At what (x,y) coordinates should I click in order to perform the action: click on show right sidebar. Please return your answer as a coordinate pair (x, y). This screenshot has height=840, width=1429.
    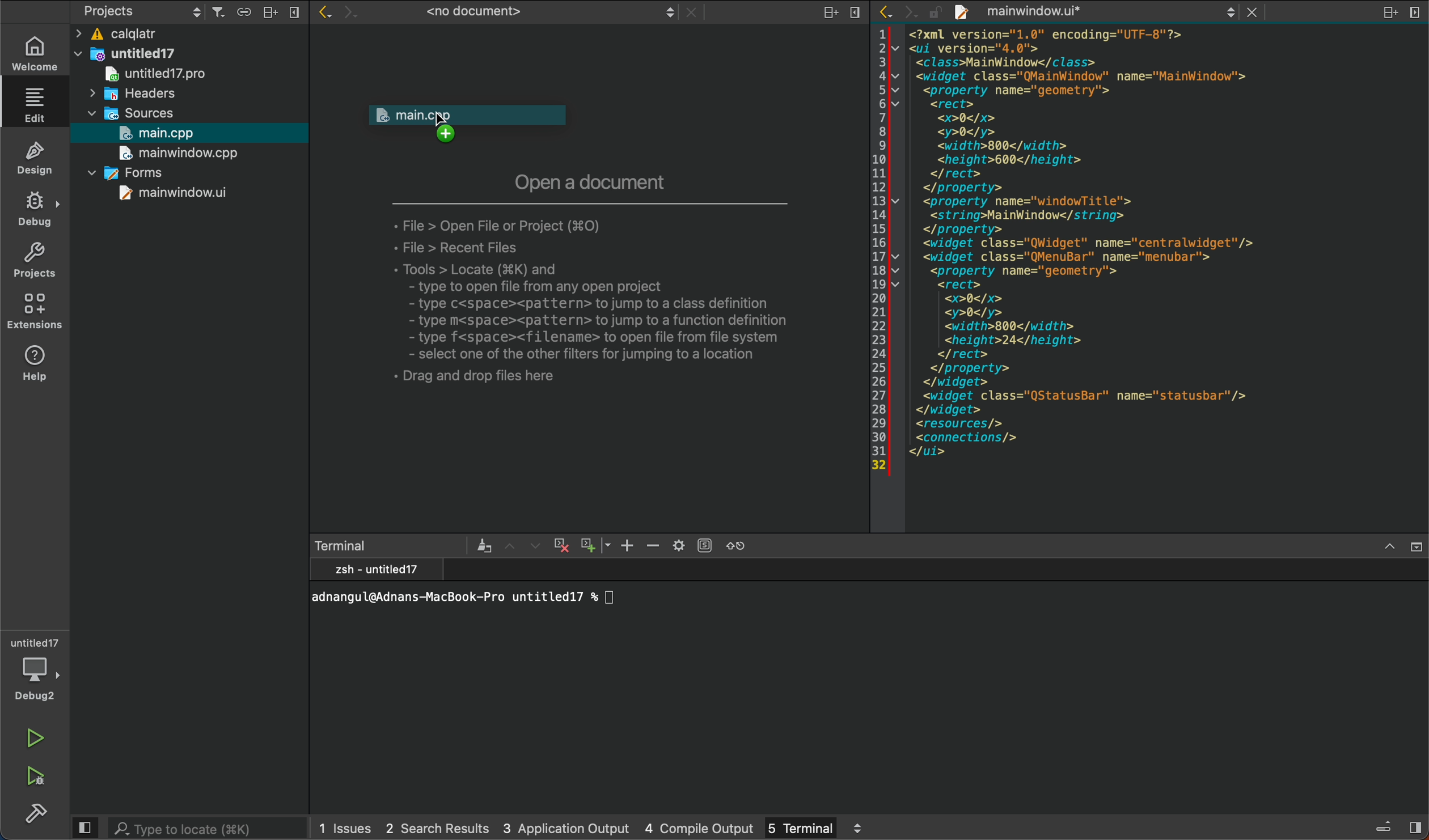
    Looking at the image, I should click on (1415, 826).